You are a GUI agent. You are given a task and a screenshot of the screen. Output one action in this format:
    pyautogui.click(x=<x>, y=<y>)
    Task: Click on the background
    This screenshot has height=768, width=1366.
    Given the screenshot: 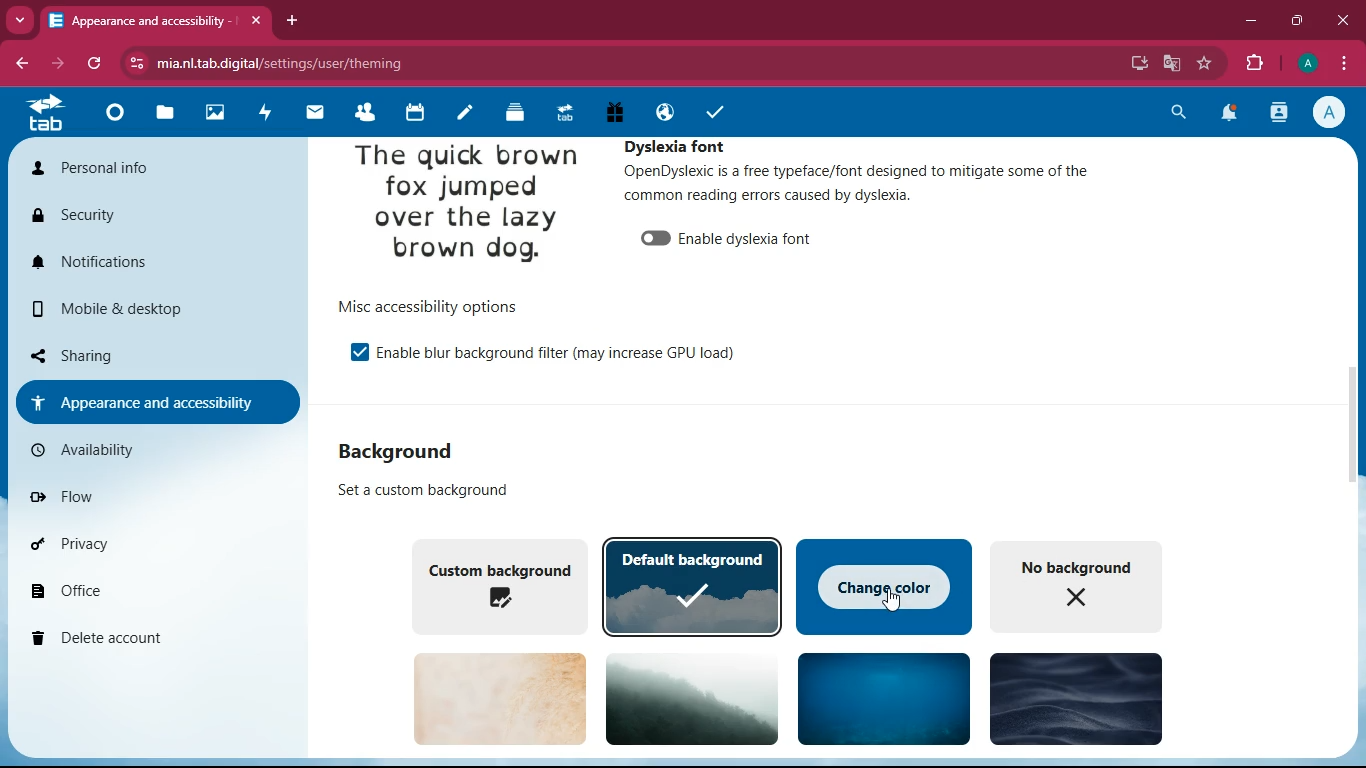 What is the action you would take?
    pyautogui.click(x=695, y=698)
    